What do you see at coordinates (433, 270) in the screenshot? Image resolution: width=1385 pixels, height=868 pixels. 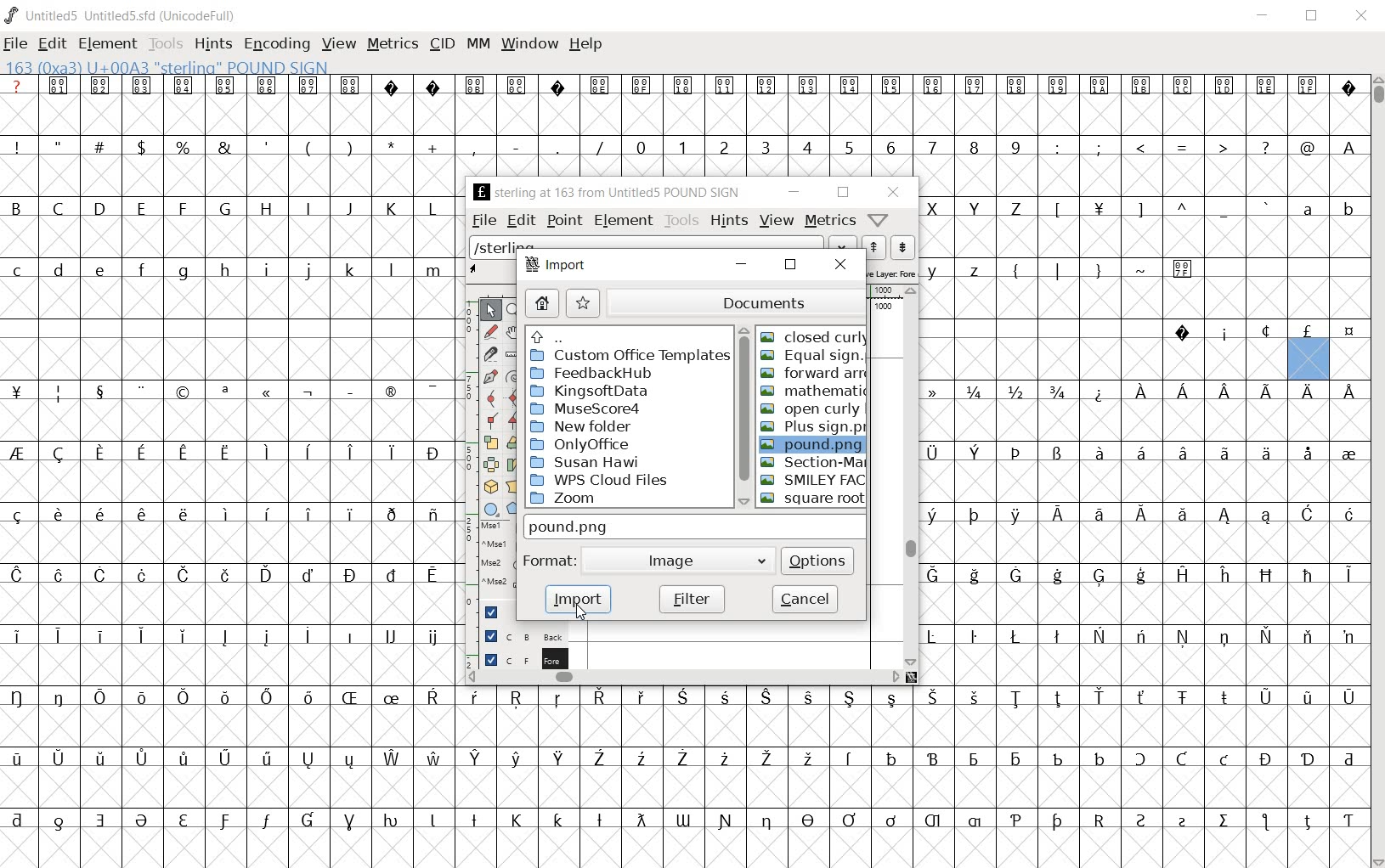 I see `m` at bounding box center [433, 270].